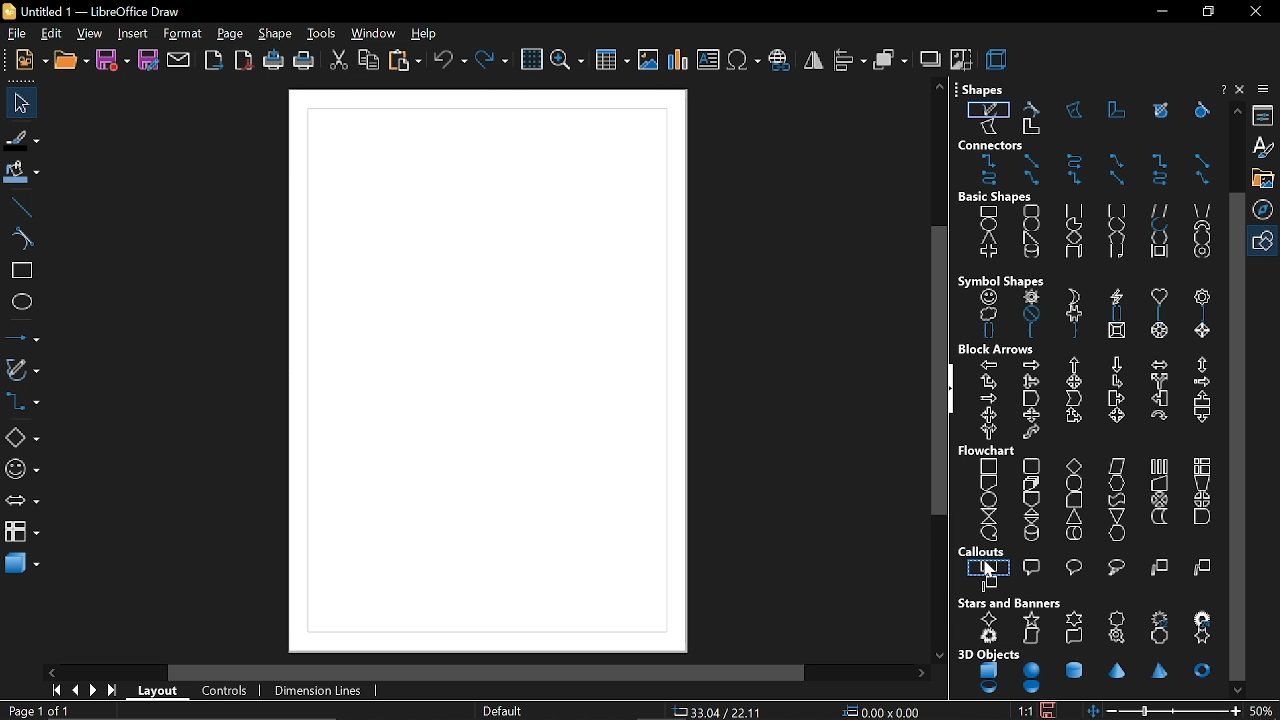  What do you see at coordinates (881, 712) in the screenshot?
I see `position` at bounding box center [881, 712].